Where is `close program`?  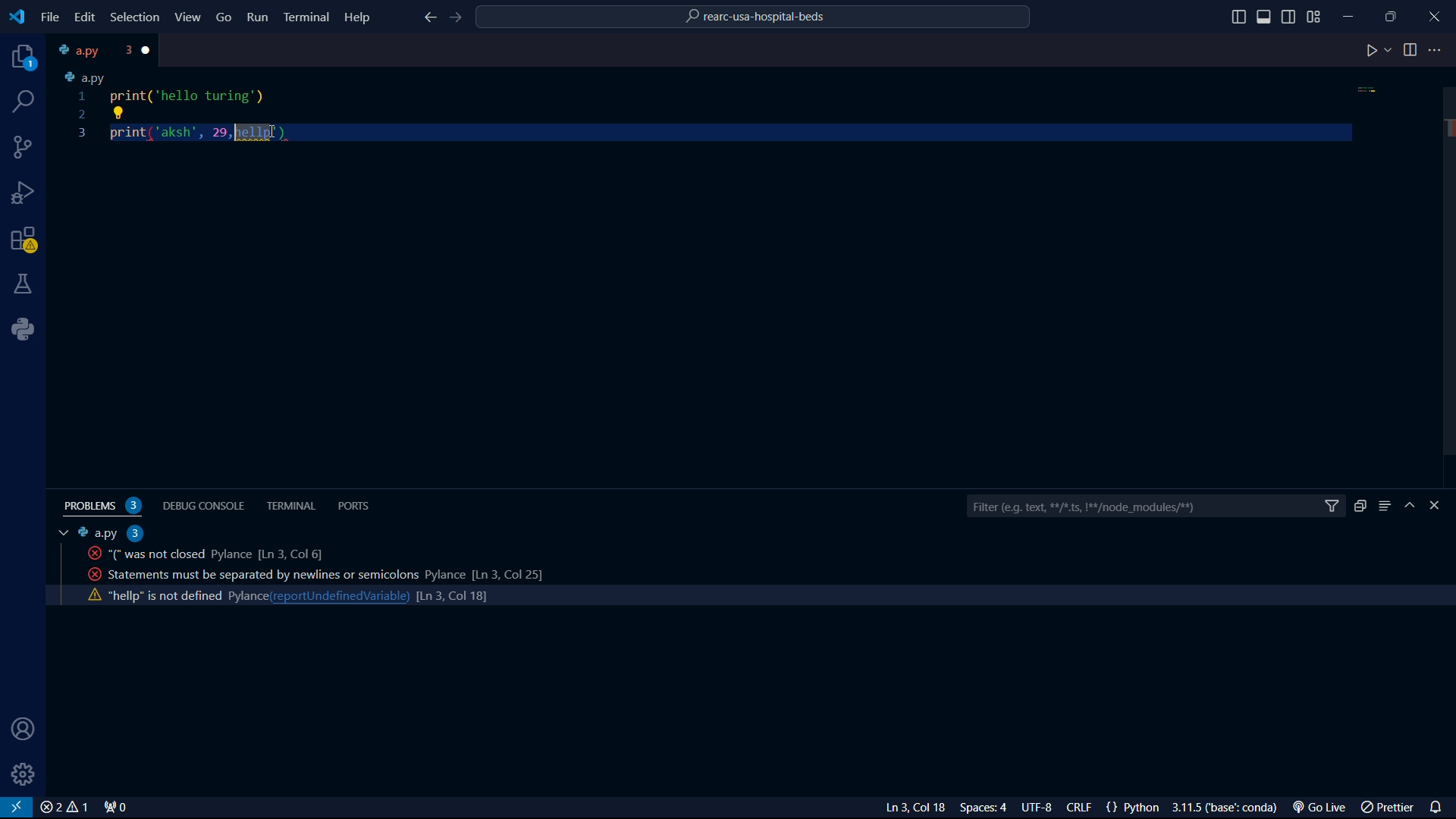
close program is located at coordinates (1435, 14).